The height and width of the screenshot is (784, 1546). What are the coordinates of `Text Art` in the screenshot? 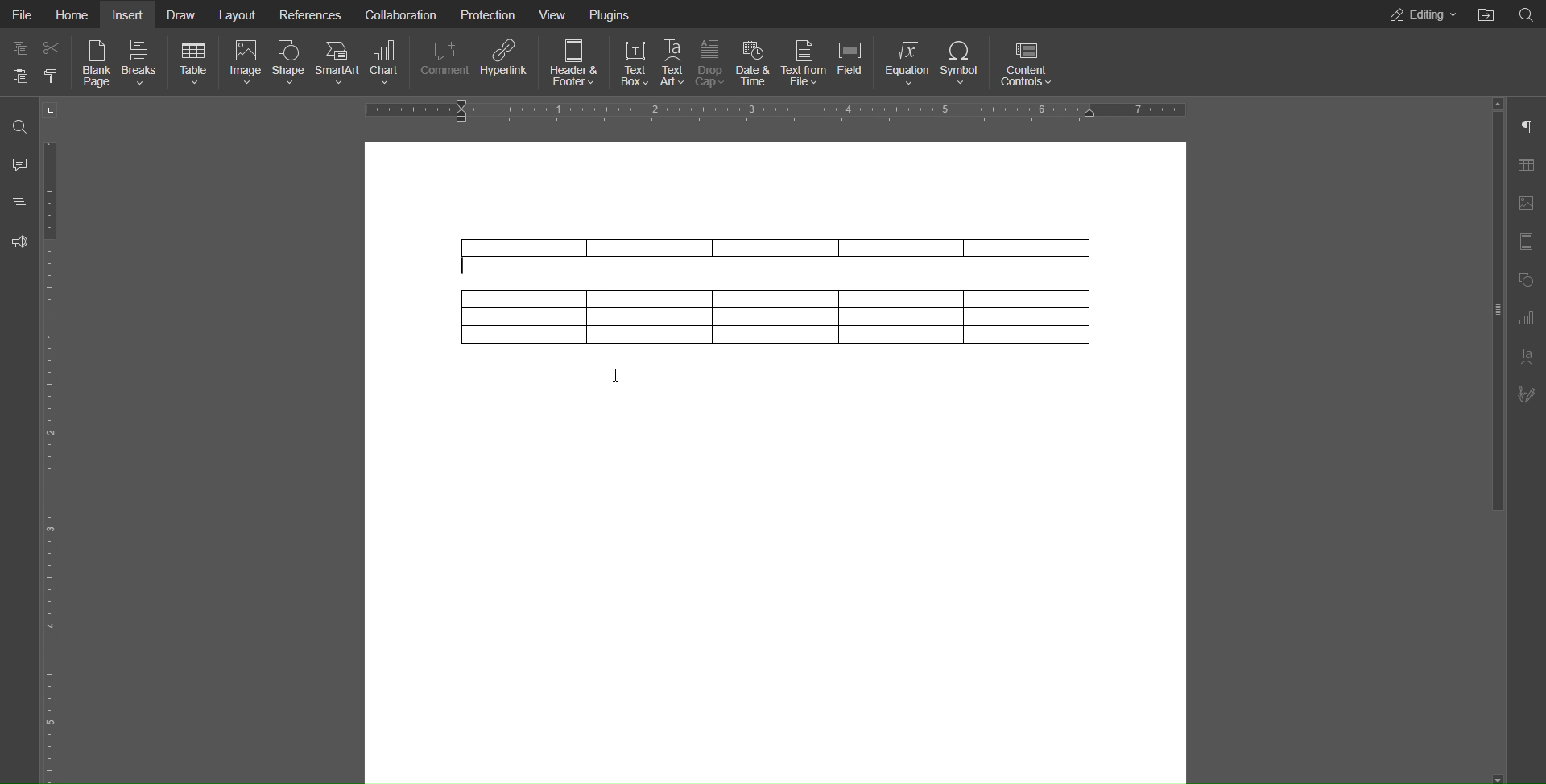 It's located at (1526, 357).